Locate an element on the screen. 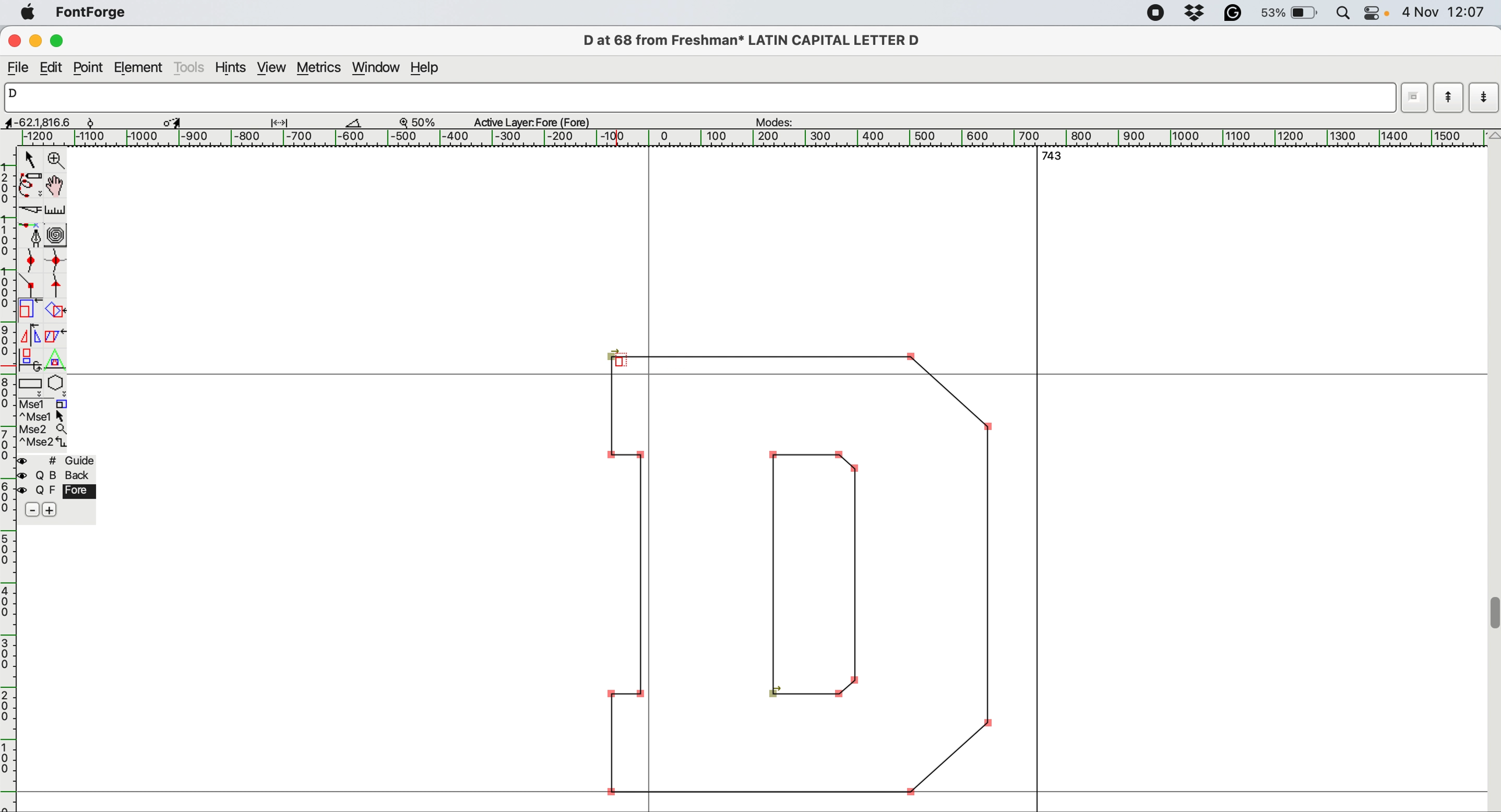  zoom detail is located at coordinates (413, 122).